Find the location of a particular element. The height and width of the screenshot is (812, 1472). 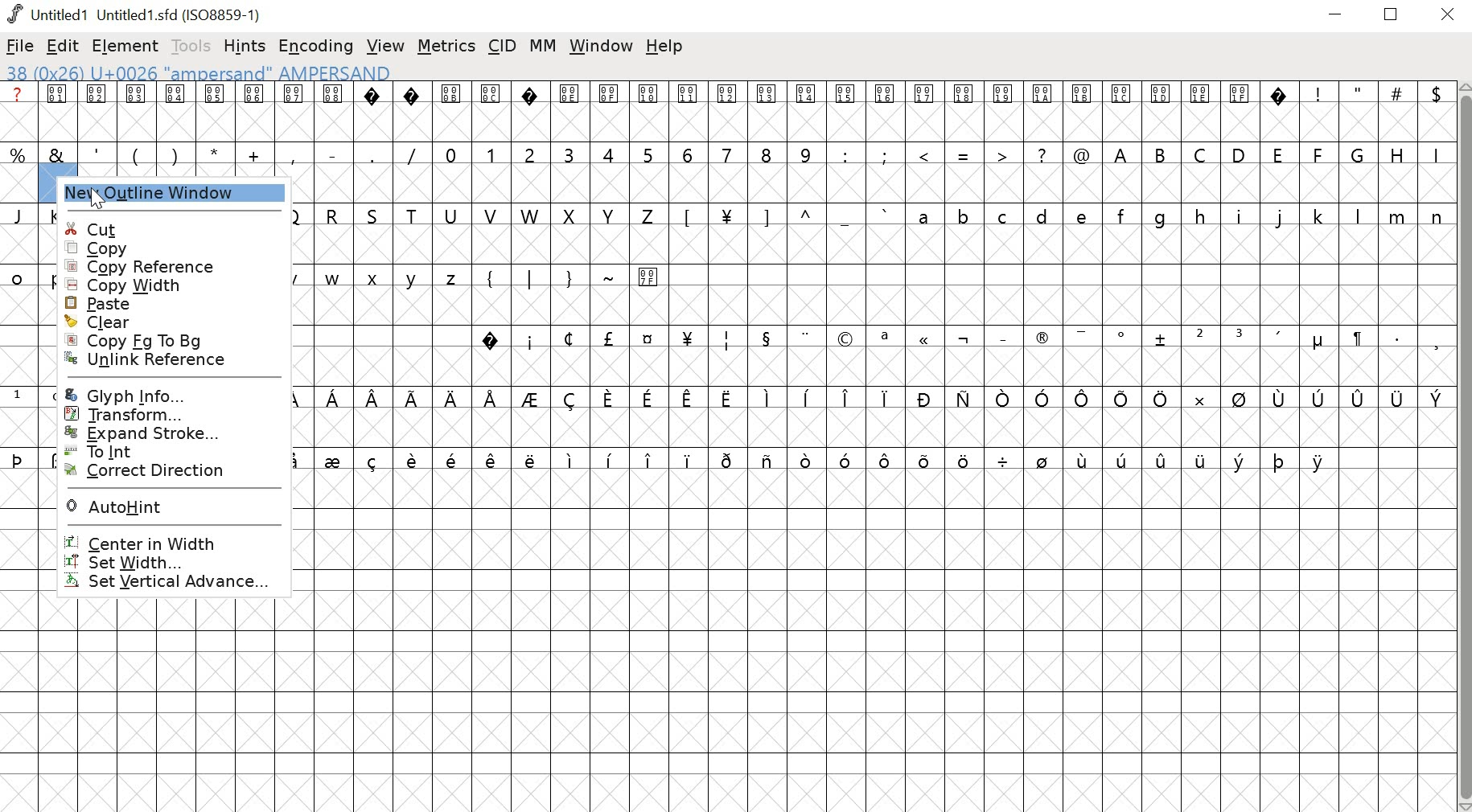

cursor is located at coordinates (108, 202).